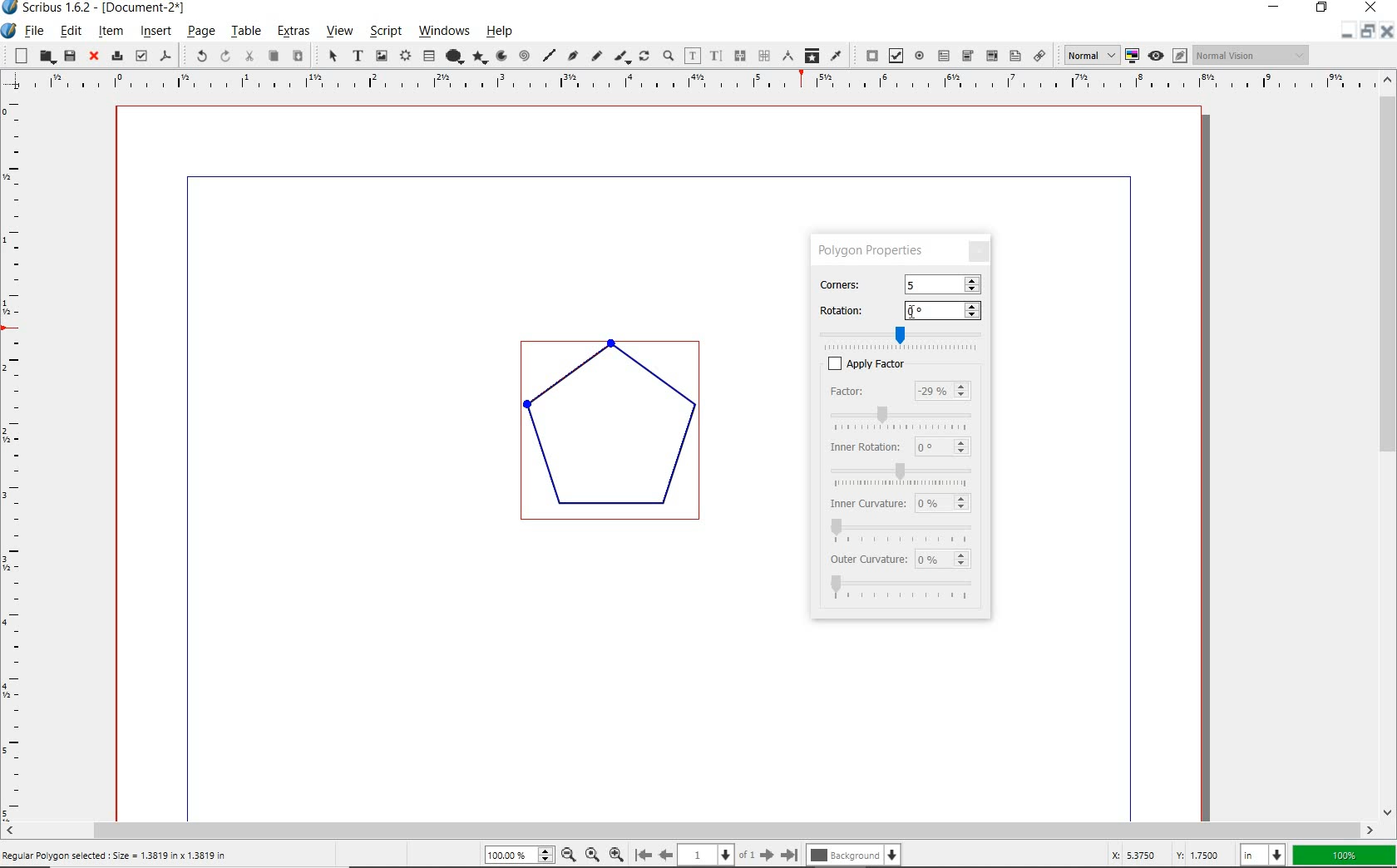 The width and height of the screenshot is (1397, 868). Describe the element at coordinates (1389, 446) in the screenshot. I see `scrollbar` at that location.